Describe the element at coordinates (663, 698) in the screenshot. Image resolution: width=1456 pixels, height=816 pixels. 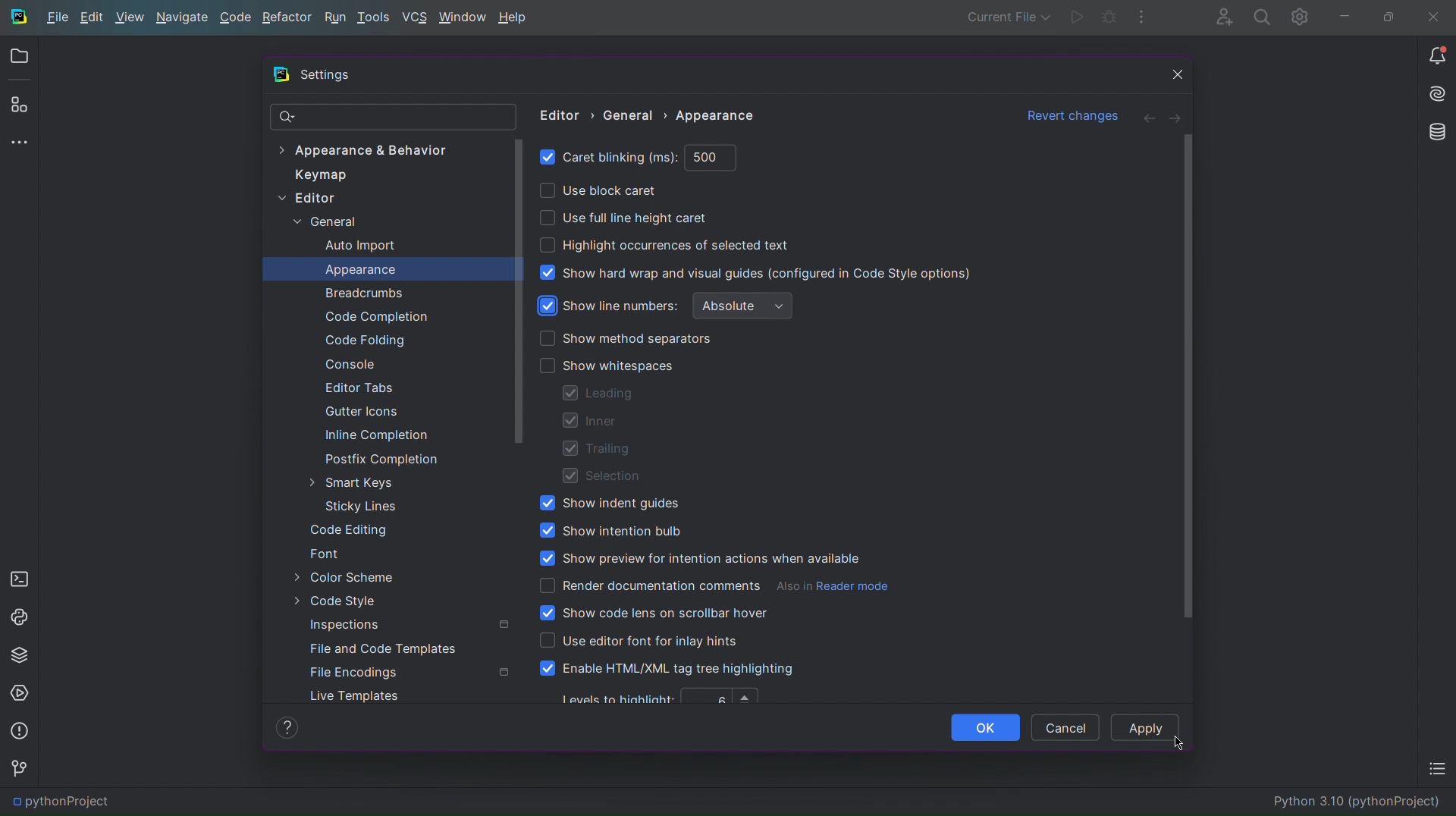
I see `Levels to highlight` at that location.